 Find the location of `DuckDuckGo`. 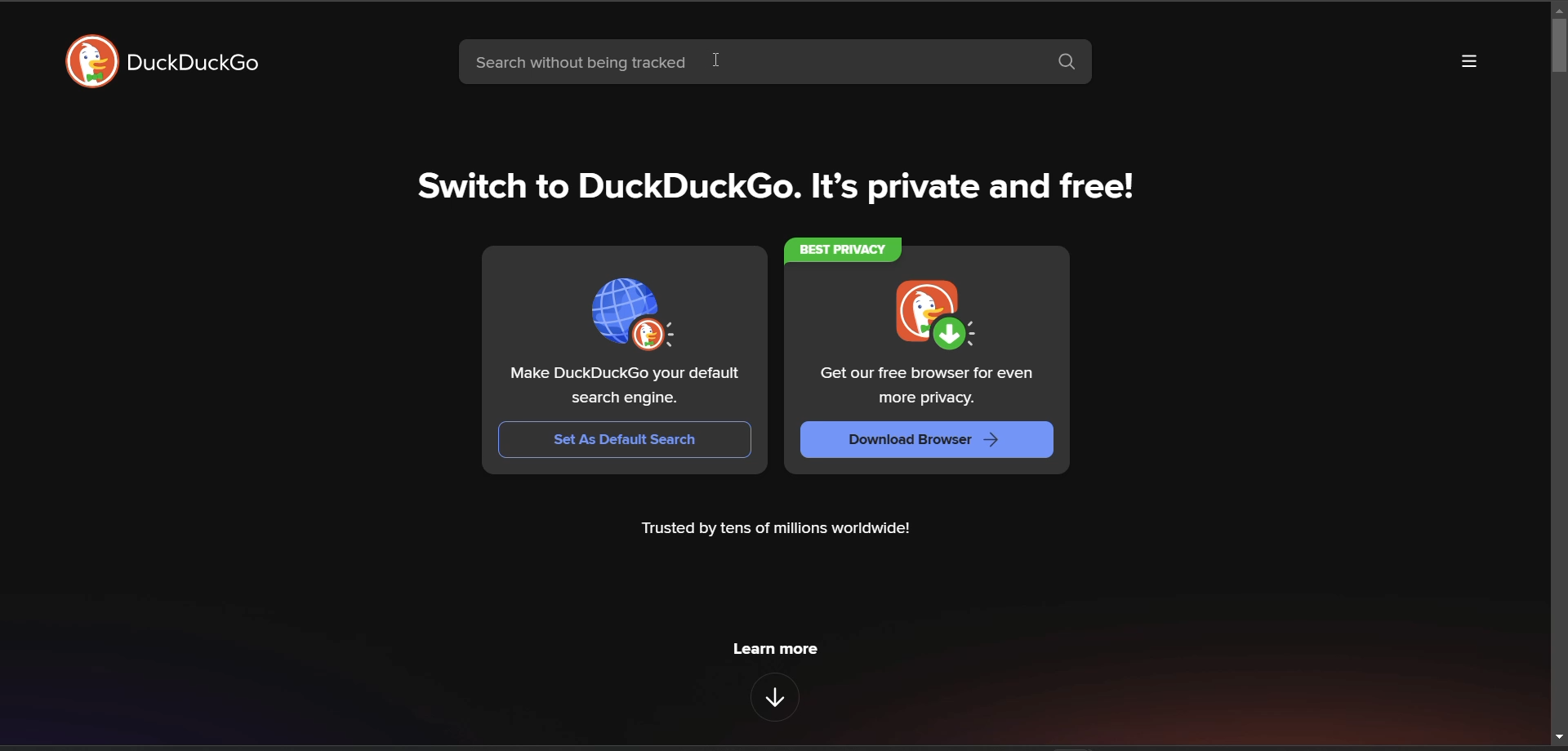

DuckDuckGo is located at coordinates (192, 61).